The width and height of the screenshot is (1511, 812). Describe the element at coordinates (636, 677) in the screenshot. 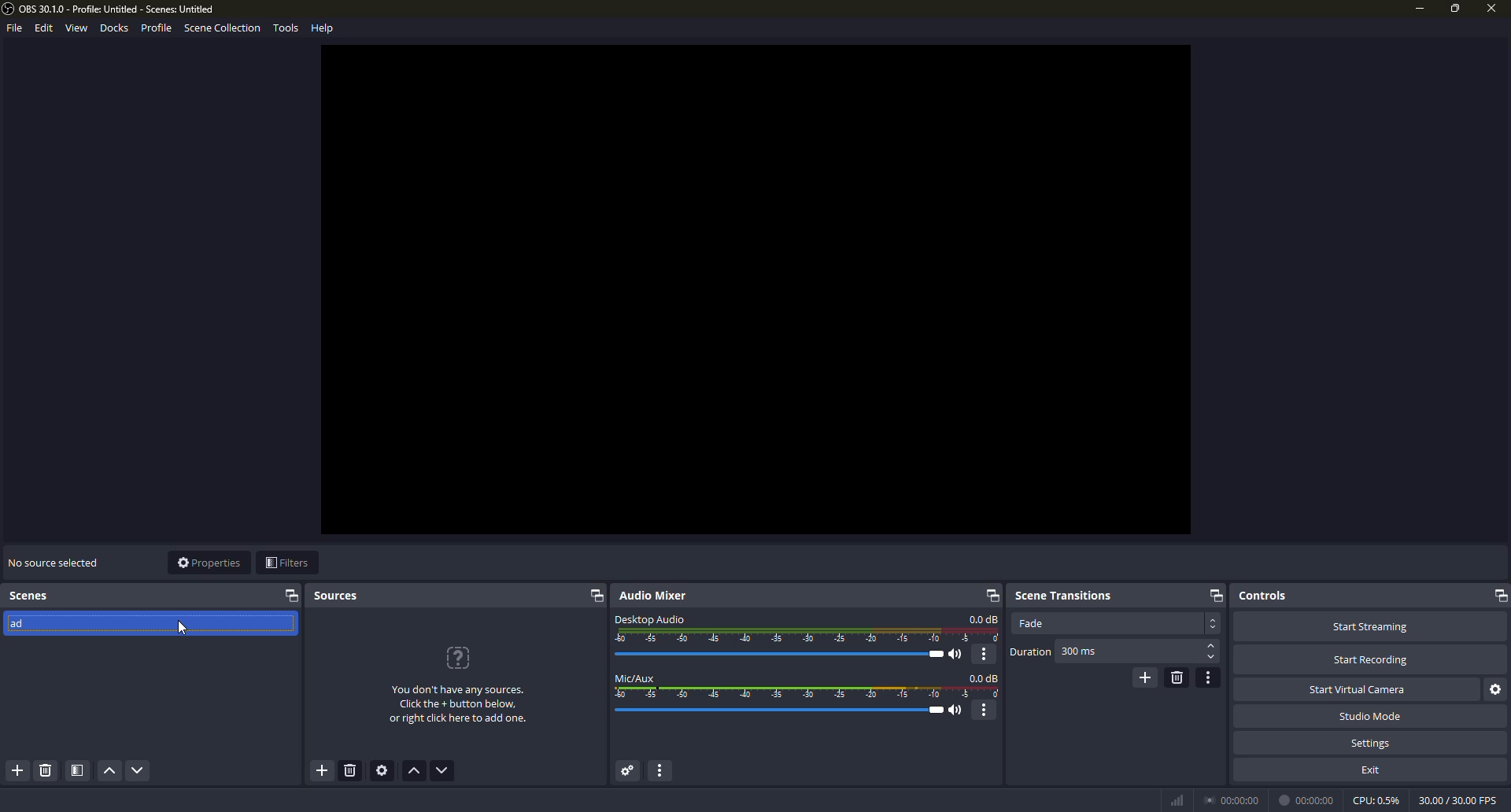

I see `mic/aux` at that location.